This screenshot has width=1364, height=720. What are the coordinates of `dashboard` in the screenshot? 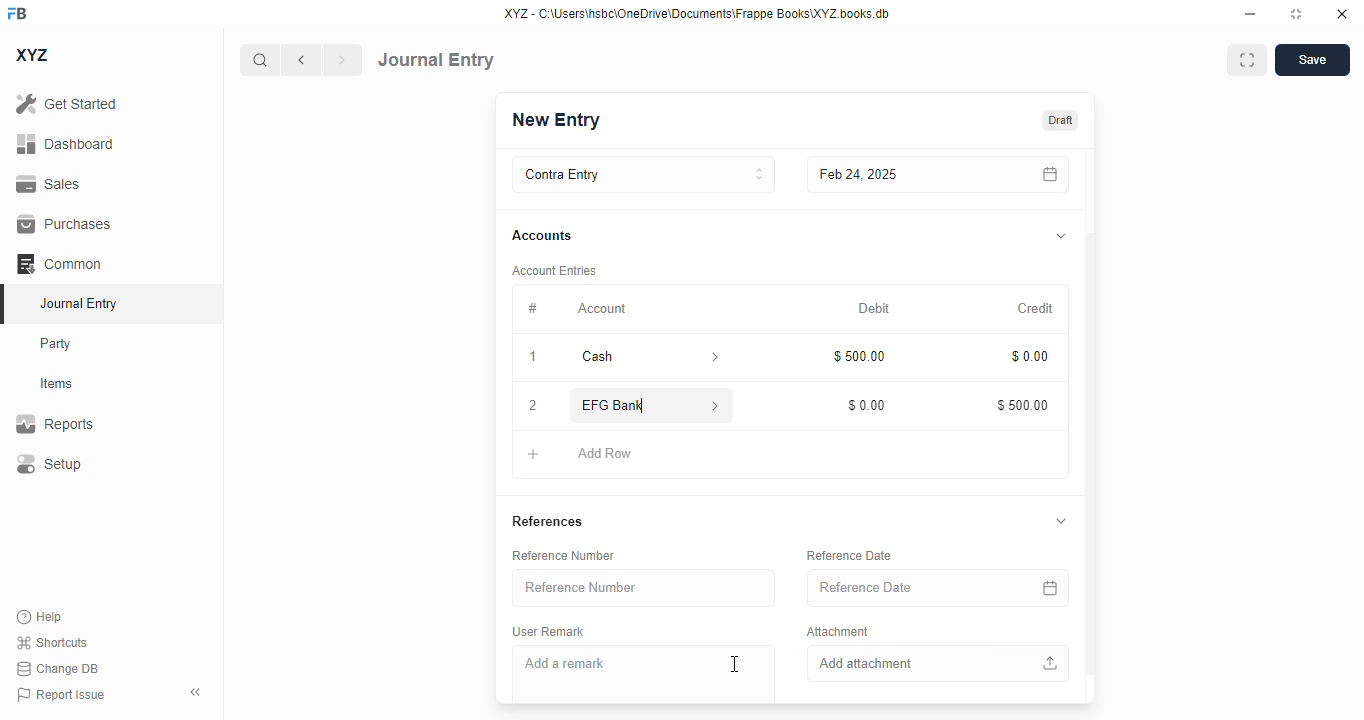 It's located at (65, 143).